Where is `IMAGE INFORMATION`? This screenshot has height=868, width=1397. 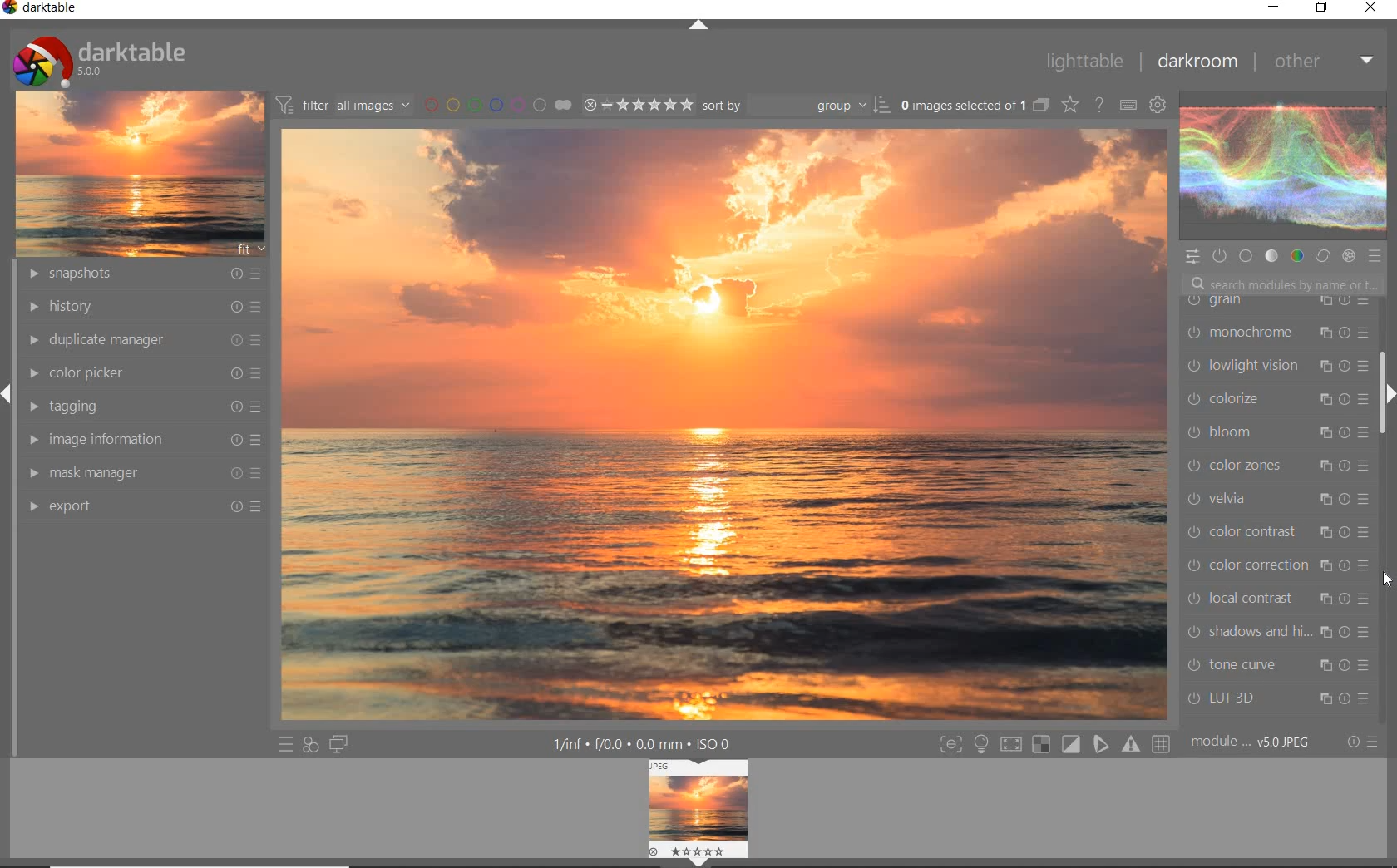 IMAGE INFORMATION is located at coordinates (146, 439).